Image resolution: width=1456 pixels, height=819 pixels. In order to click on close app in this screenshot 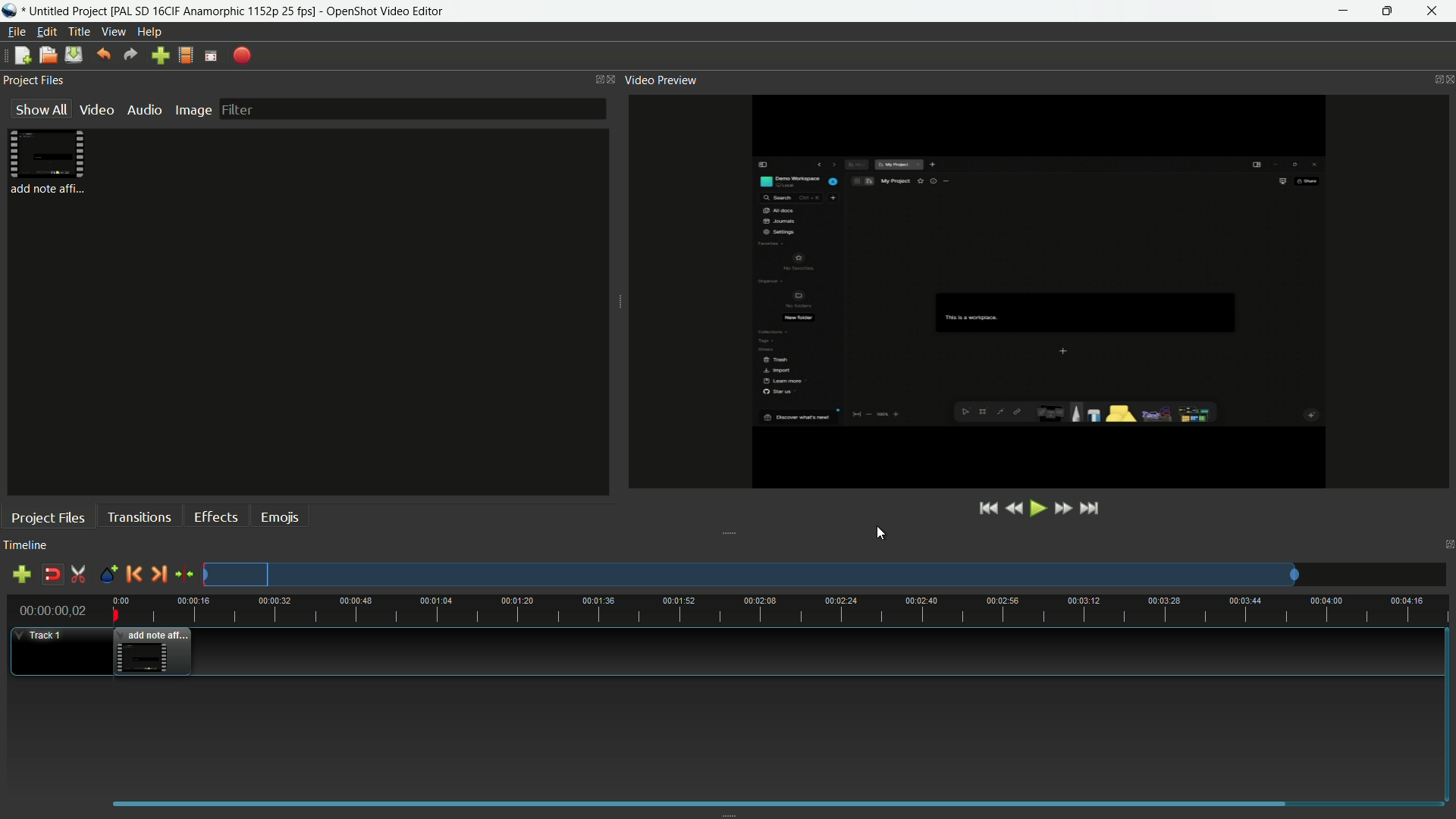, I will do `click(1436, 11)`.